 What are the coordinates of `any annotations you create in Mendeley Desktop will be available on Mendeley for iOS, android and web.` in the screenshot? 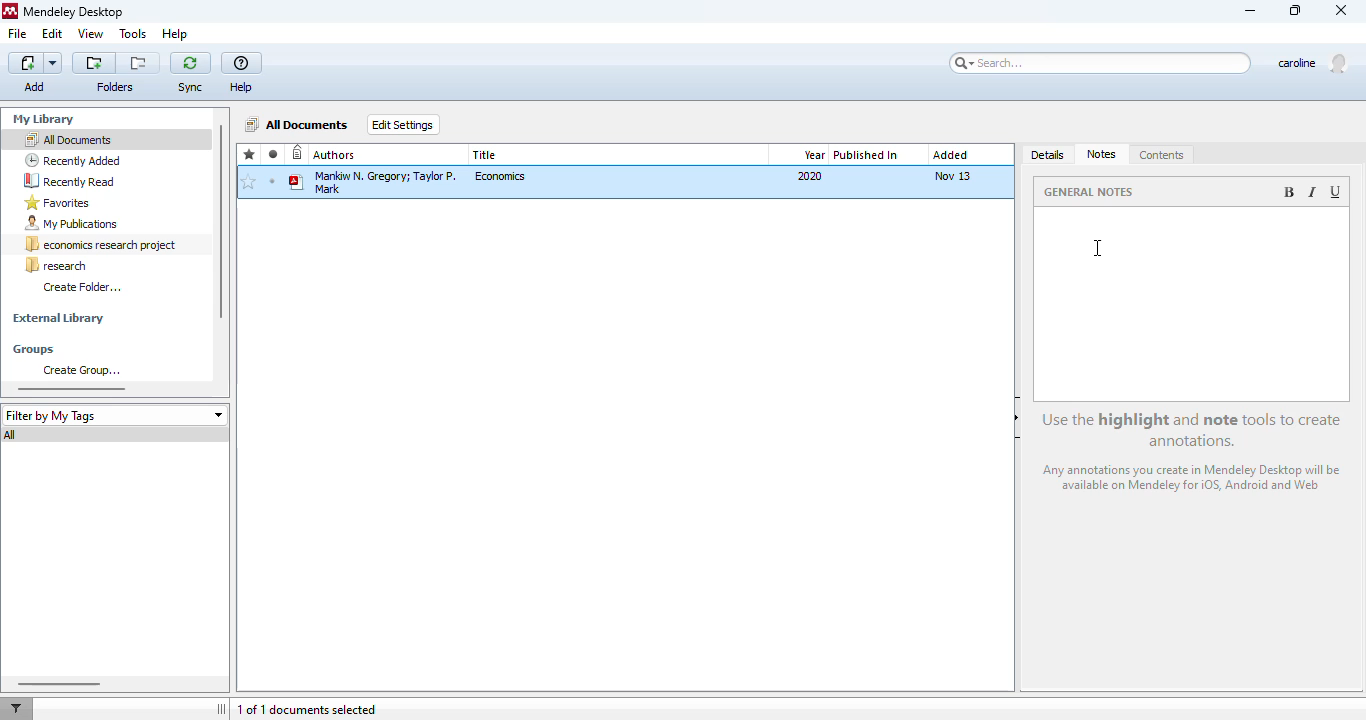 It's located at (1195, 480).